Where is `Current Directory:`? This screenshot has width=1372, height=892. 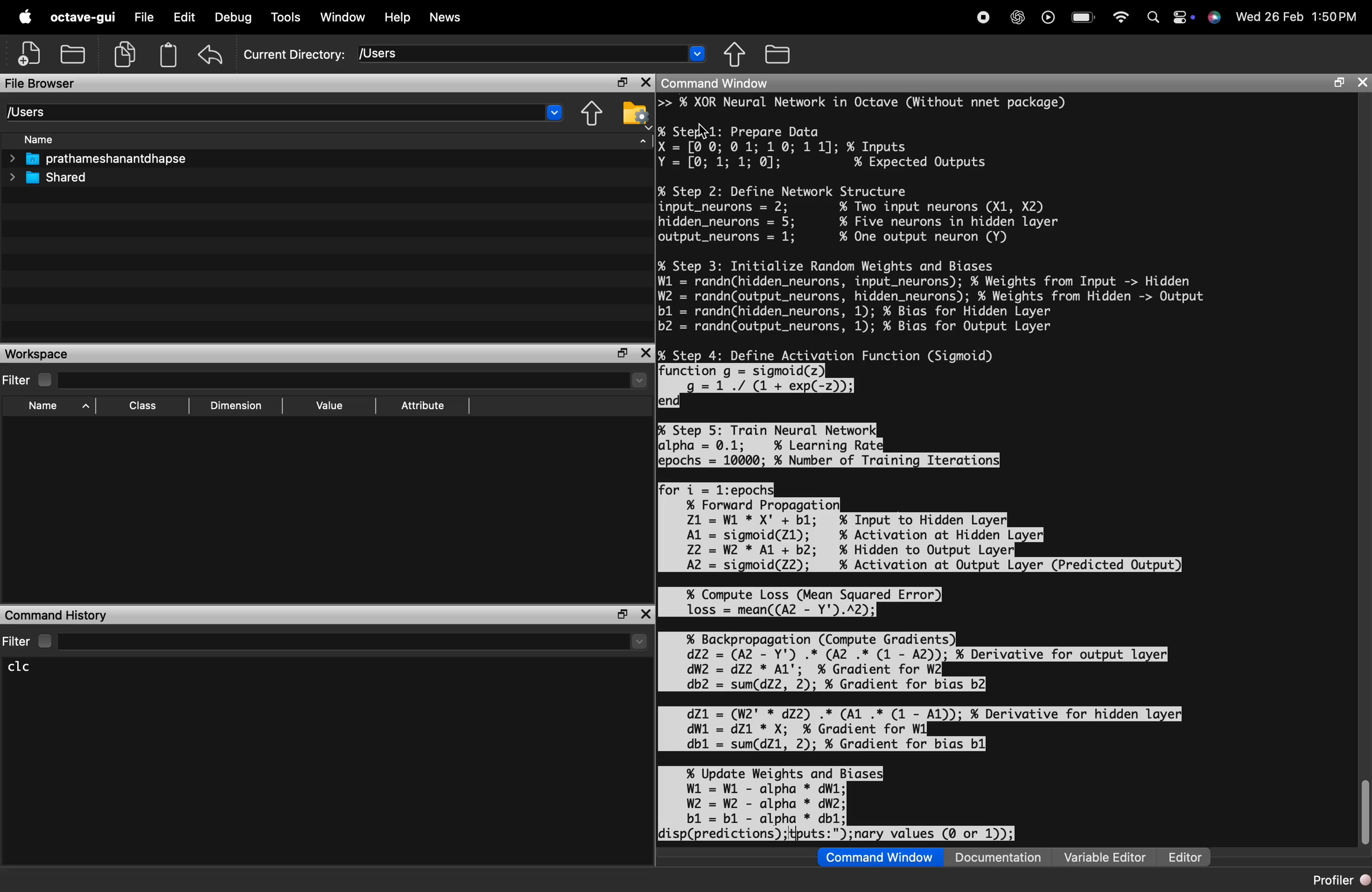 Current Directory: is located at coordinates (295, 55).